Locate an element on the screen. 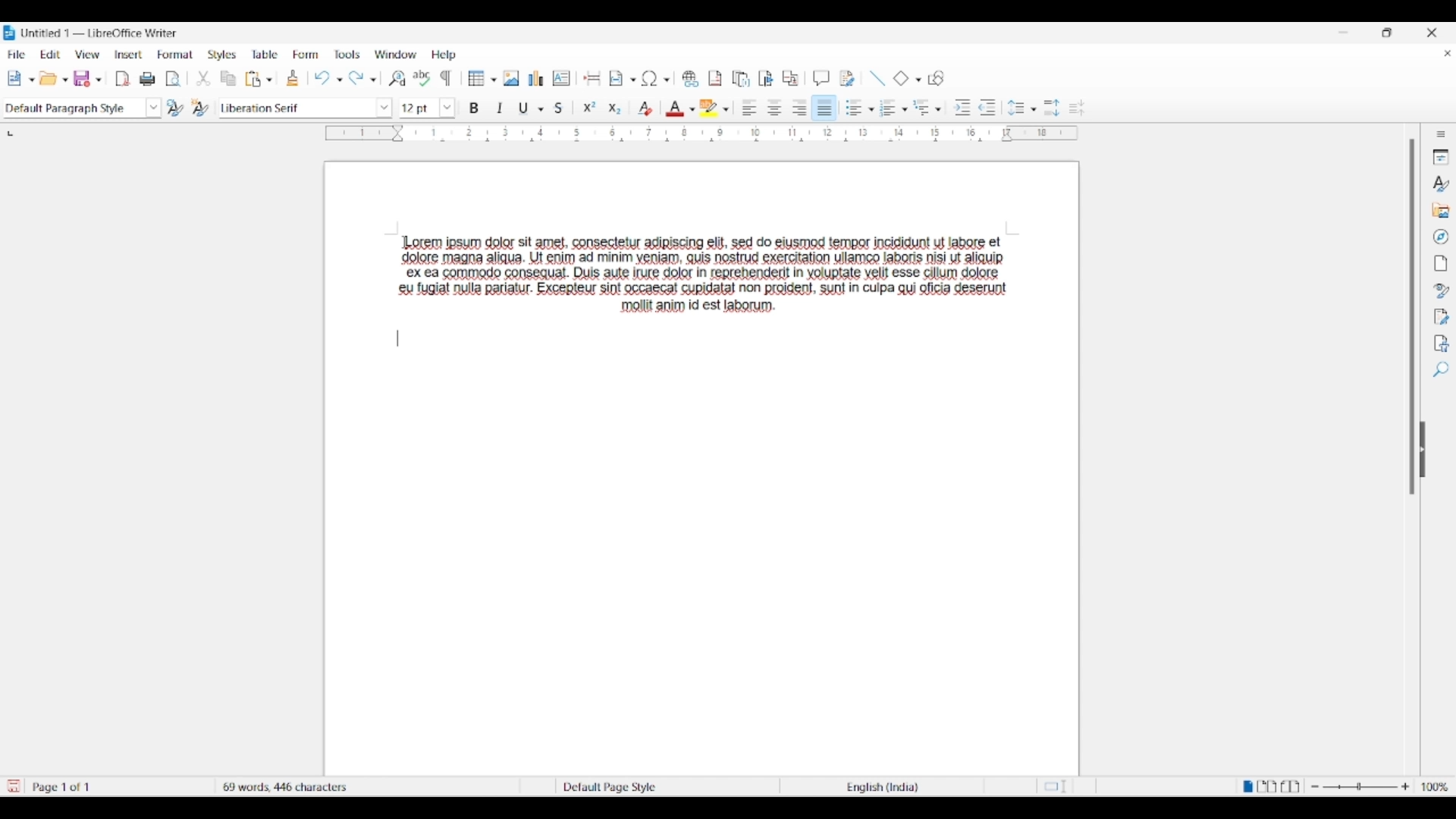  Insert page break is located at coordinates (593, 77).